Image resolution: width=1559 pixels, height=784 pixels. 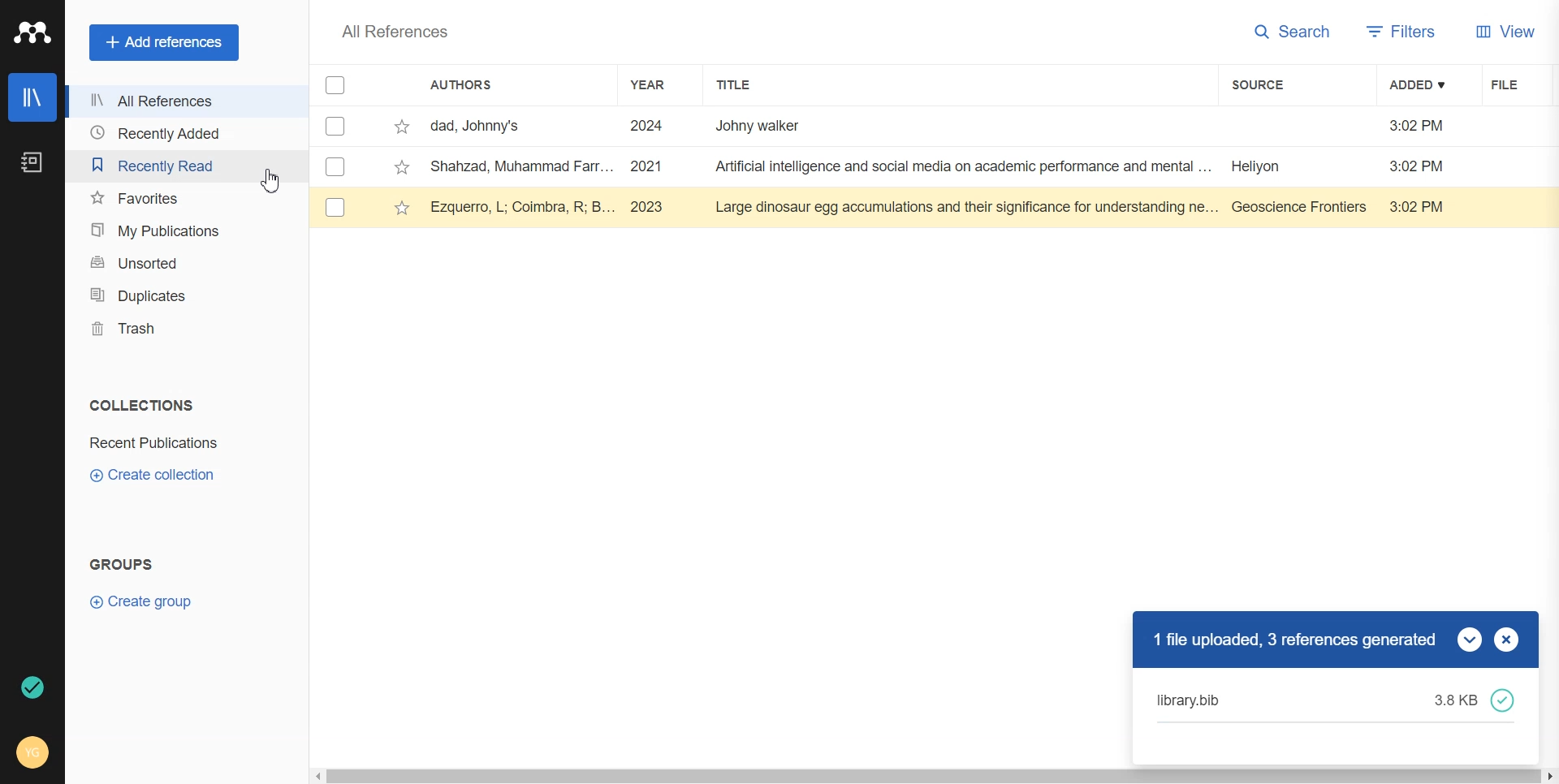 I want to click on View, so click(x=1502, y=32).